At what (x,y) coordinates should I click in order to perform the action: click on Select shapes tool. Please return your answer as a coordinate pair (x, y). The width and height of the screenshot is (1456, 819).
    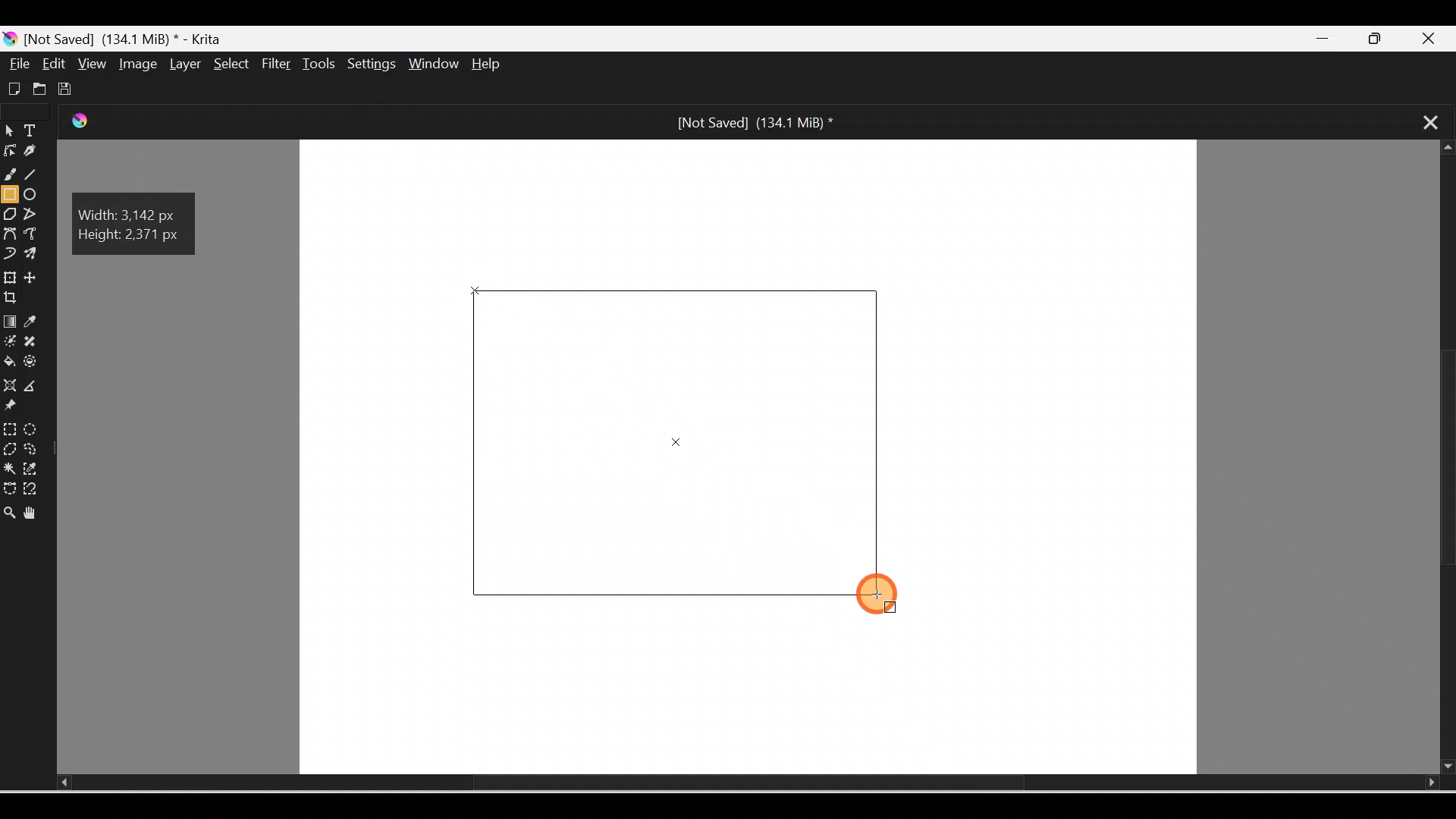
    Looking at the image, I should click on (9, 133).